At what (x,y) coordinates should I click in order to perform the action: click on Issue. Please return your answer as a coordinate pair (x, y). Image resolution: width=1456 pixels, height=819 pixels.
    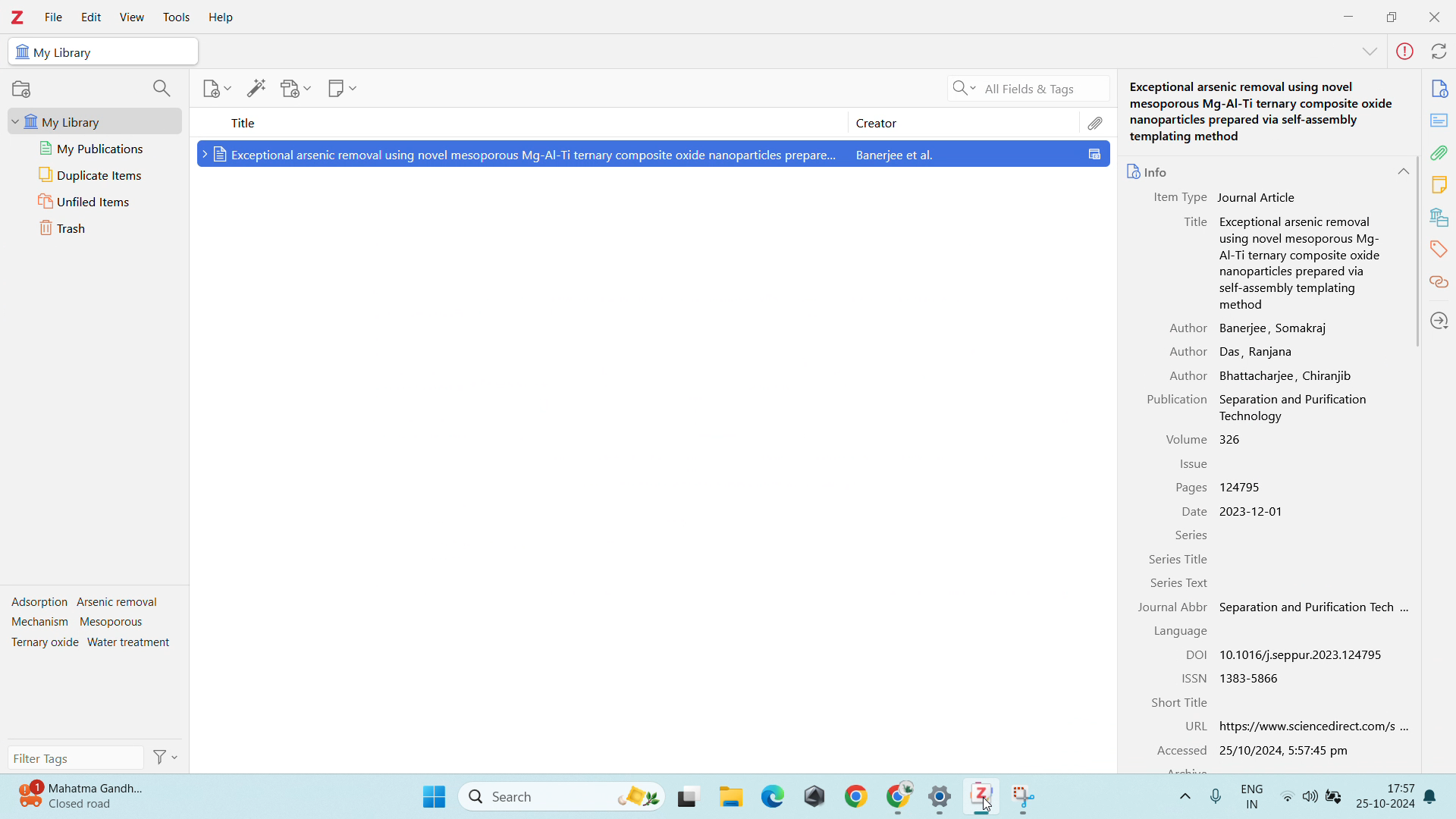
    Looking at the image, I should click on (1197, 465).